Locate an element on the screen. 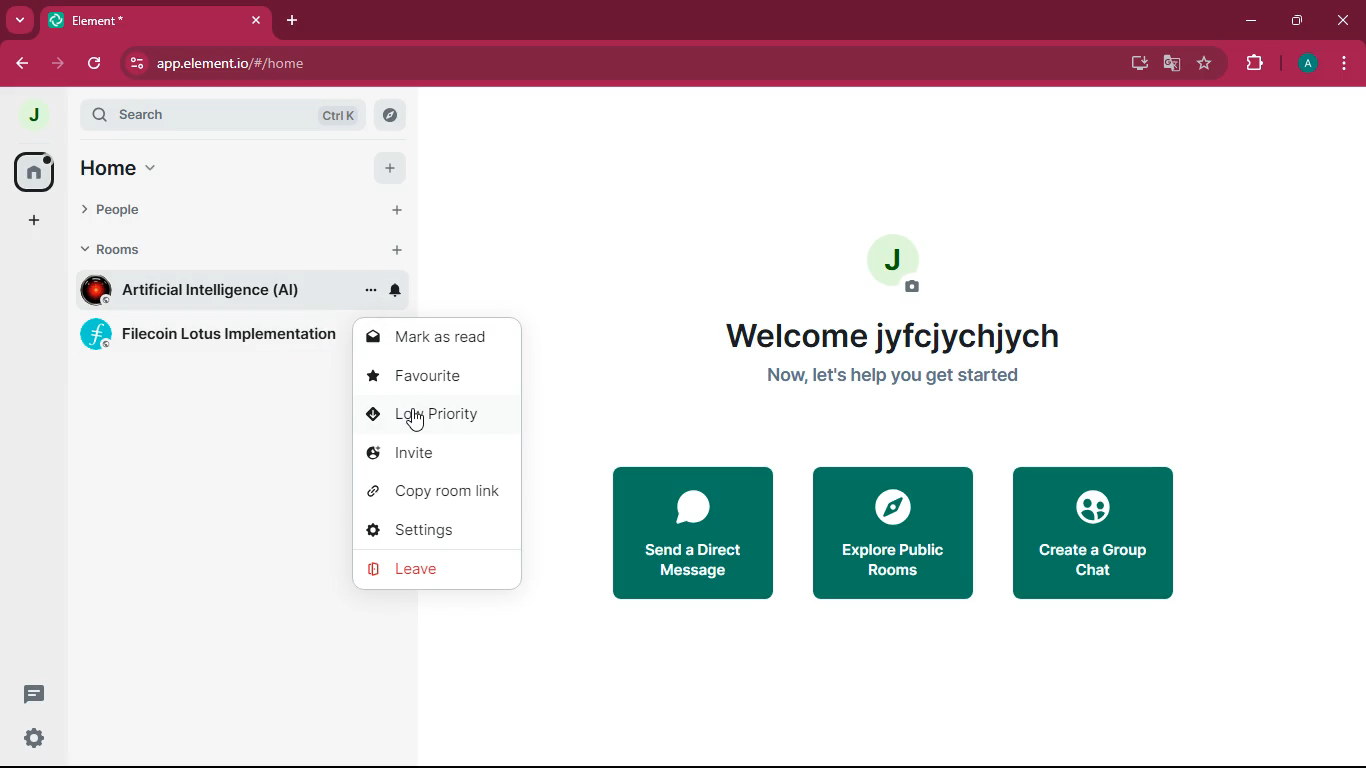  room is located at coordinates (209, 290).